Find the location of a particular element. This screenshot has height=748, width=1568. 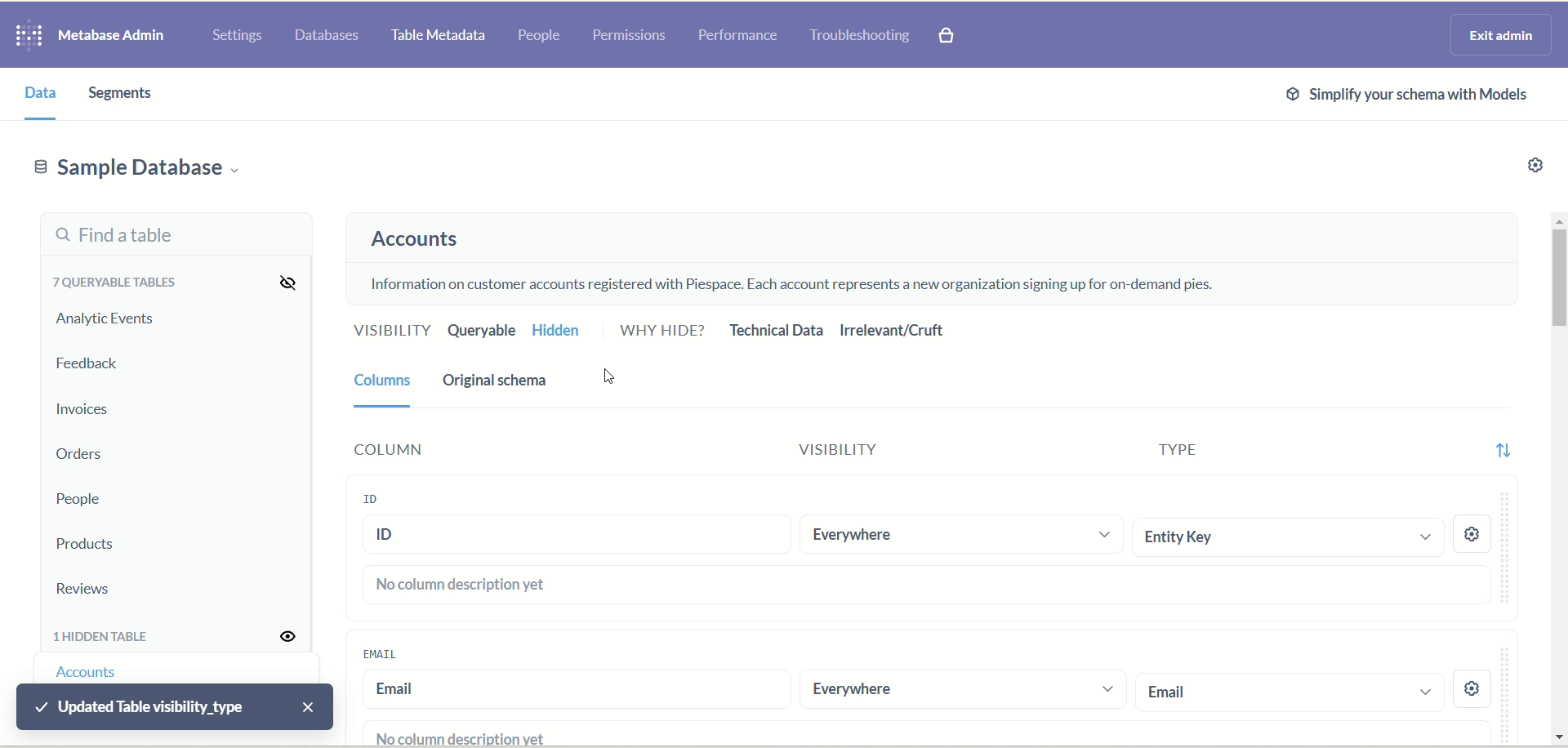

email is located at coordinates (388, 654).